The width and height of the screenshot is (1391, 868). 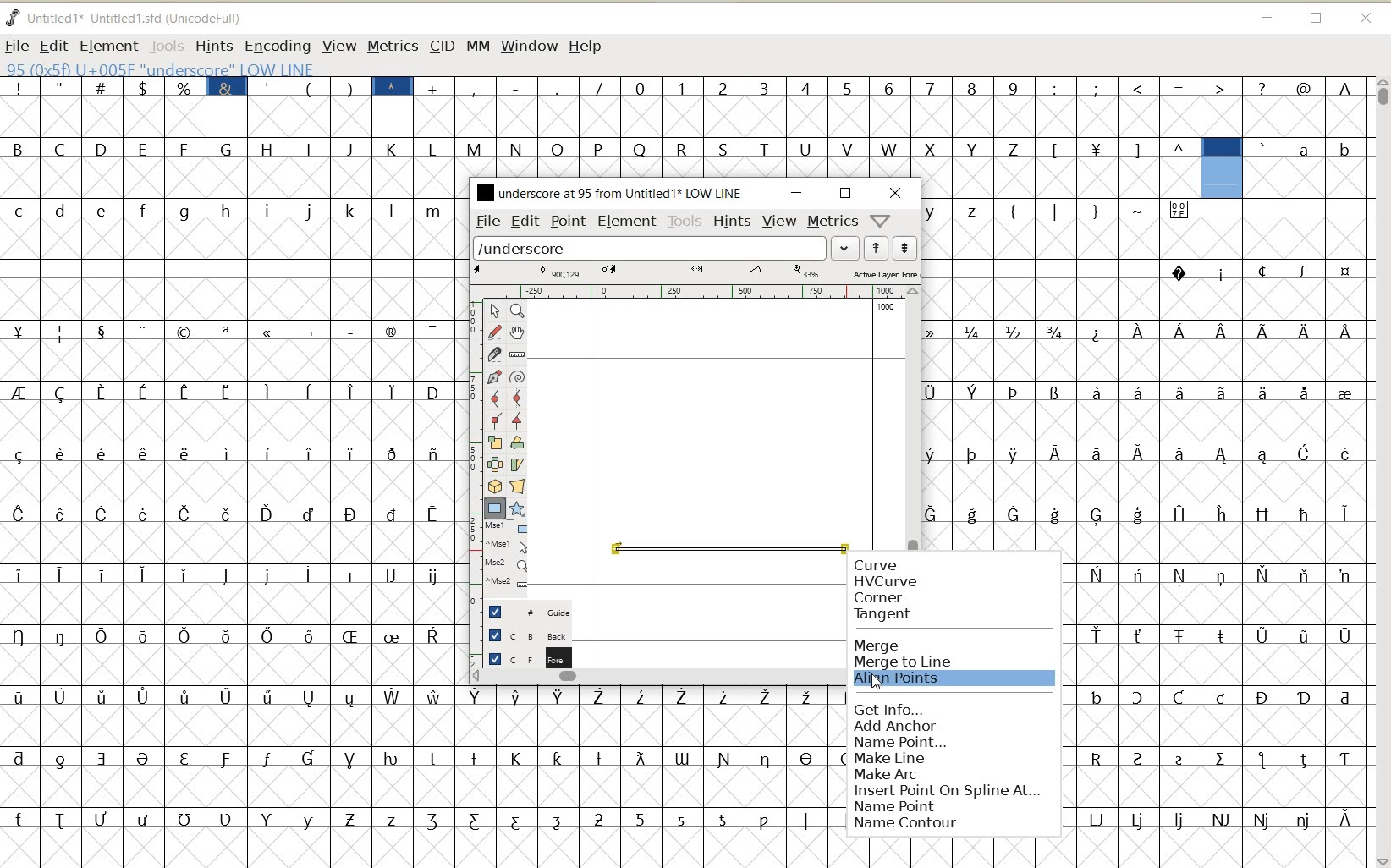 I want to click on pointer, so click(x=493, y=311).